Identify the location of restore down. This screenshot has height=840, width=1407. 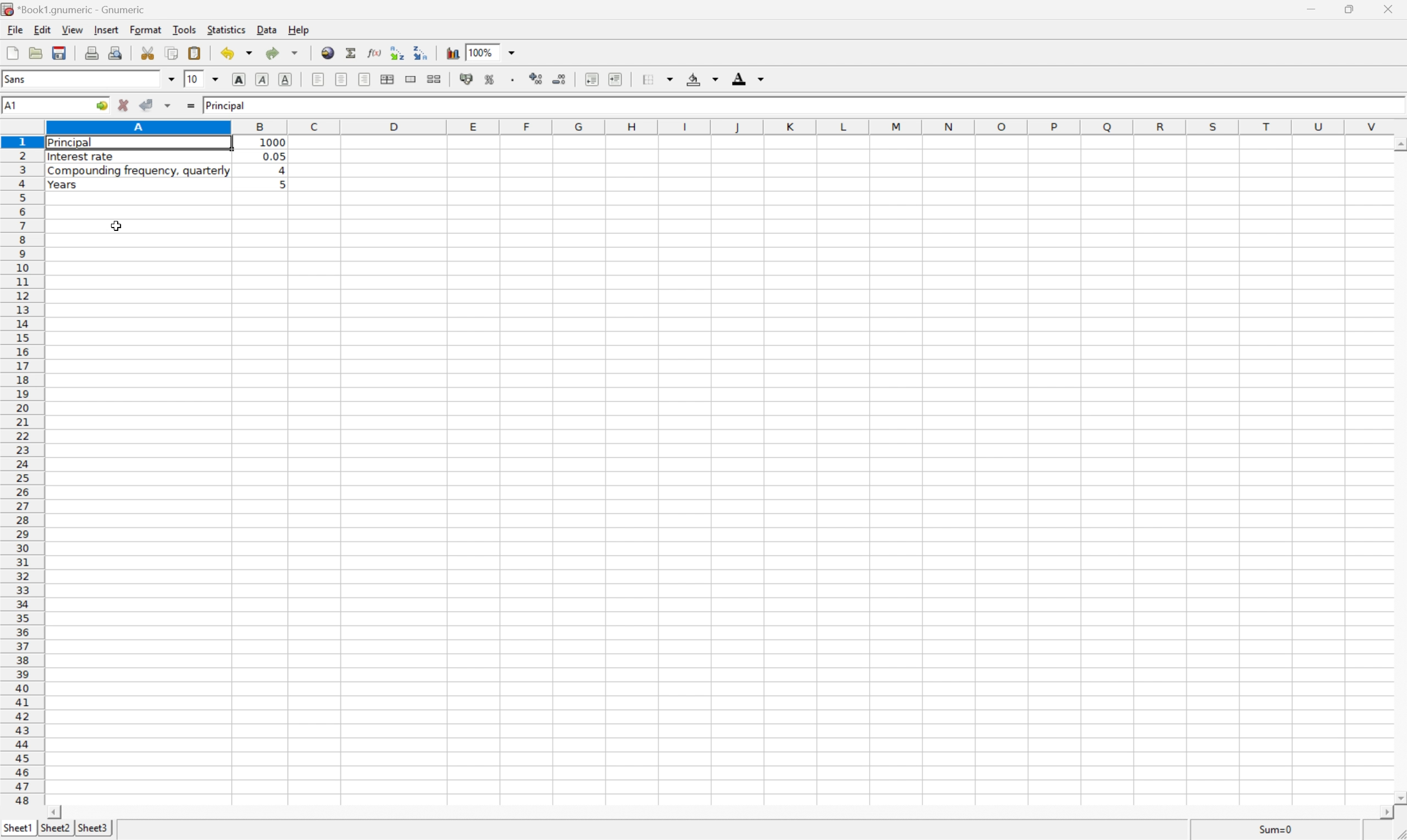
(1352, 9).